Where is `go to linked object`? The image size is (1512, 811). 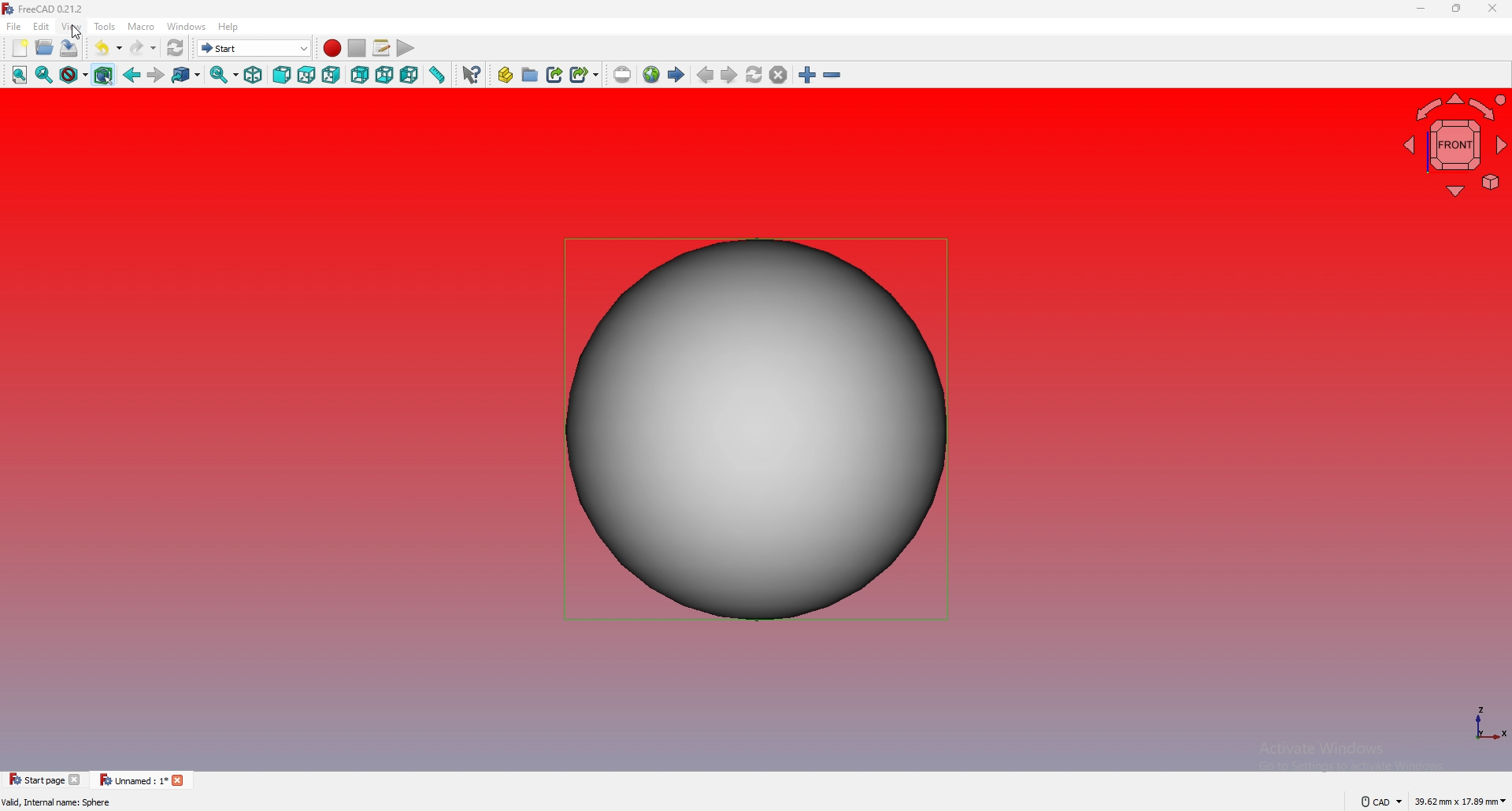 go to linked object is located at coordinates (187, 75).